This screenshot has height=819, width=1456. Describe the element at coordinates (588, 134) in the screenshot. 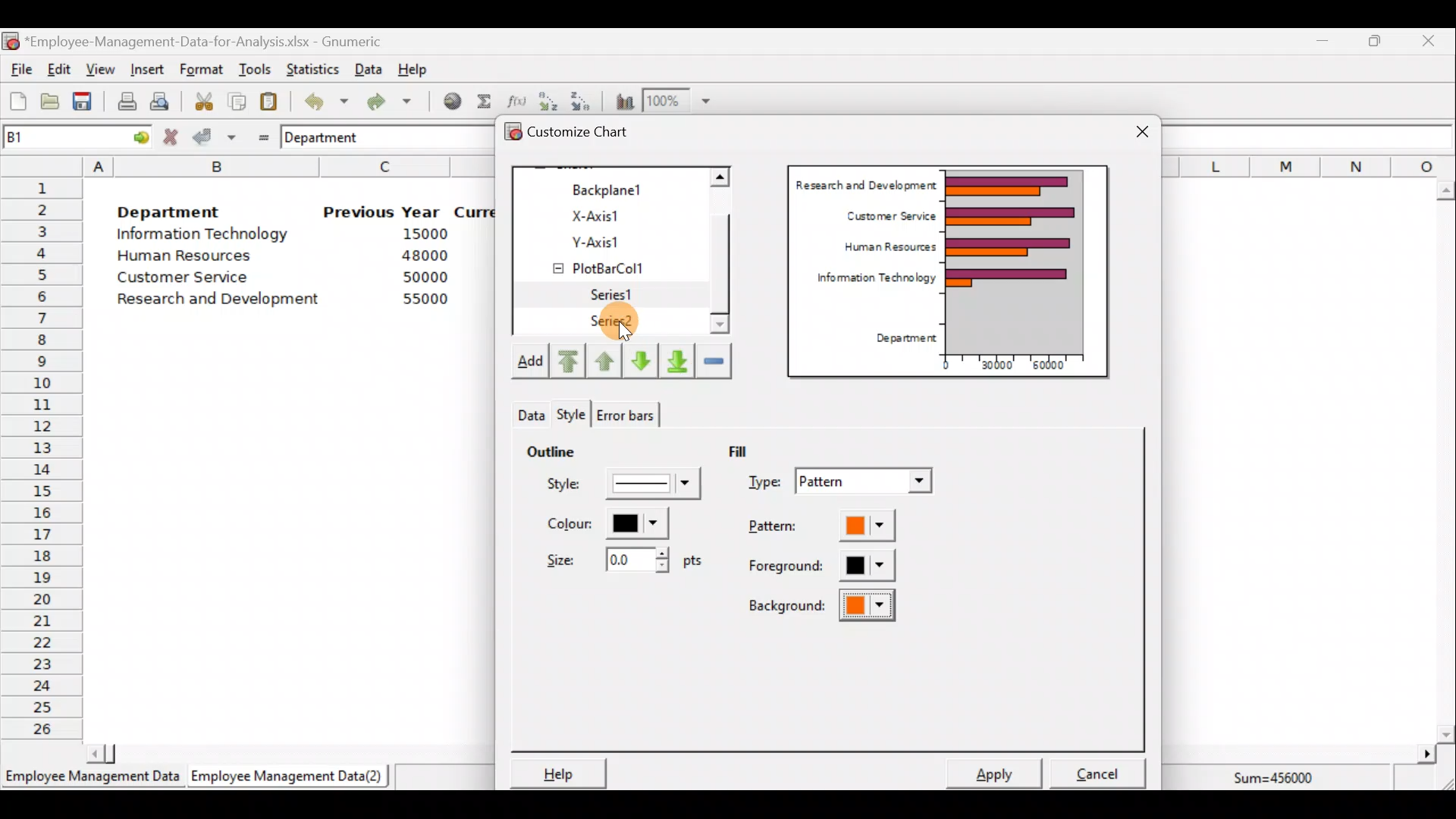

I see `Customize chart` at that location.